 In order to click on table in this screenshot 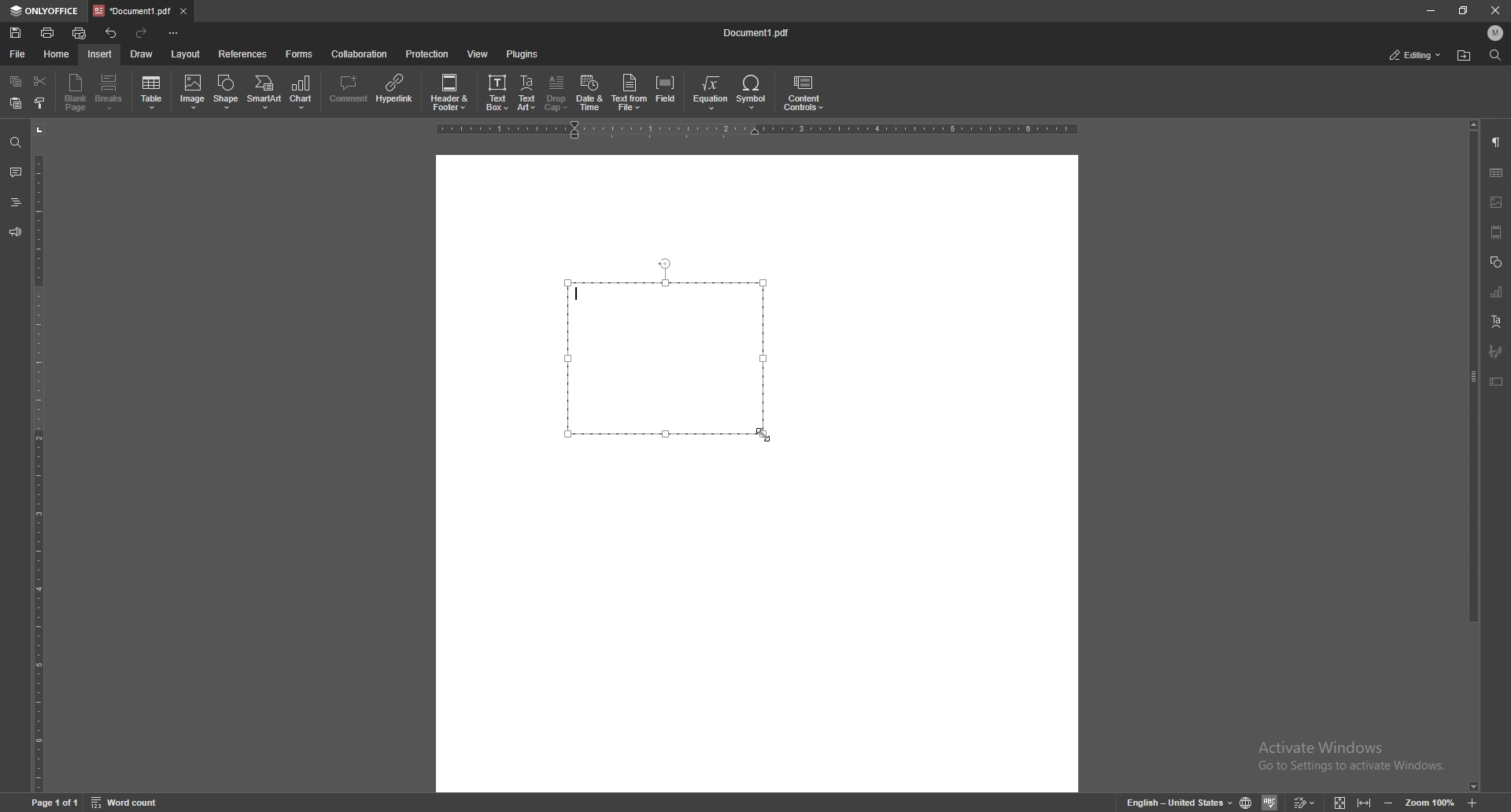, I will do `click(1497, 173)`.